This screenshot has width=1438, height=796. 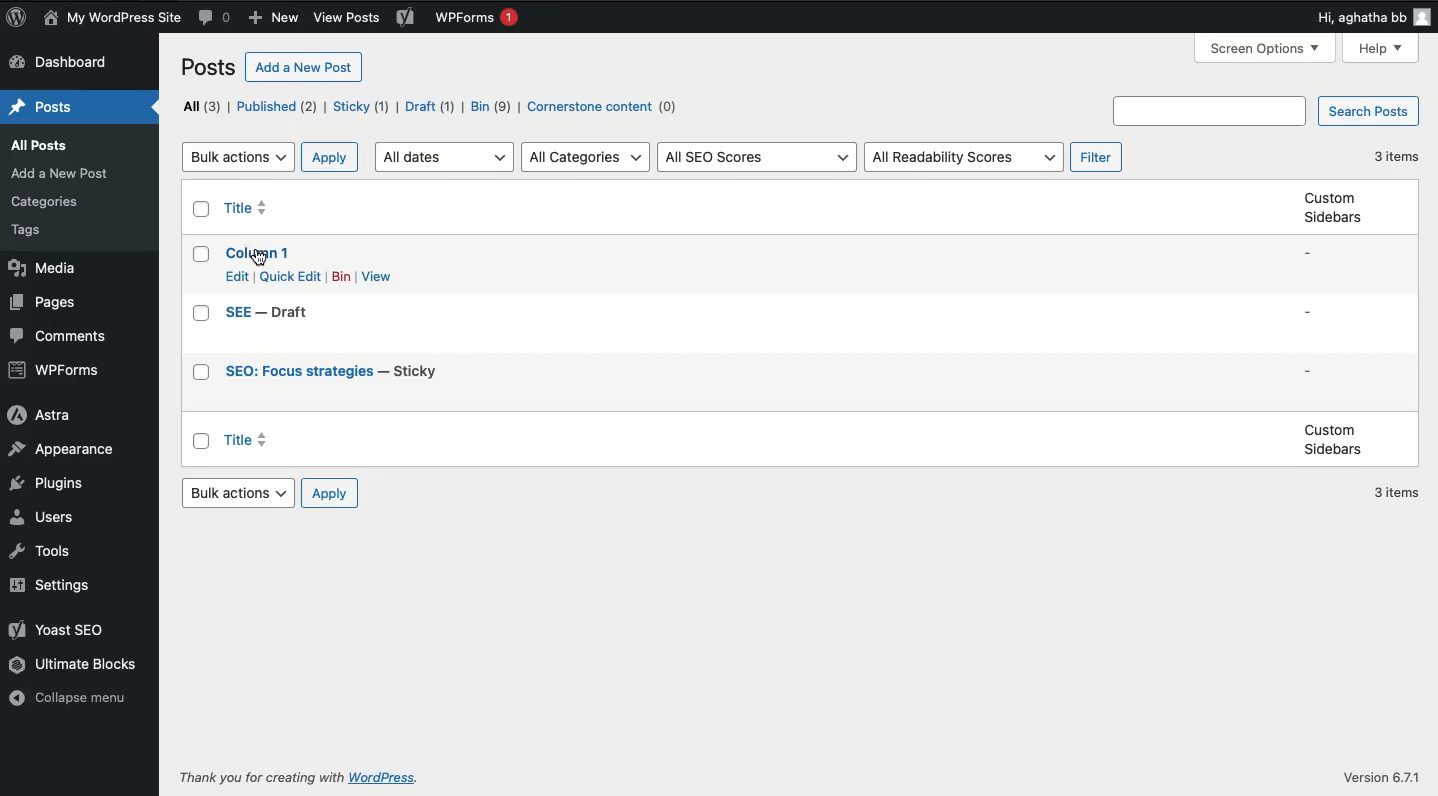 I want to click on Search posts, so click(x=1371, y=112).